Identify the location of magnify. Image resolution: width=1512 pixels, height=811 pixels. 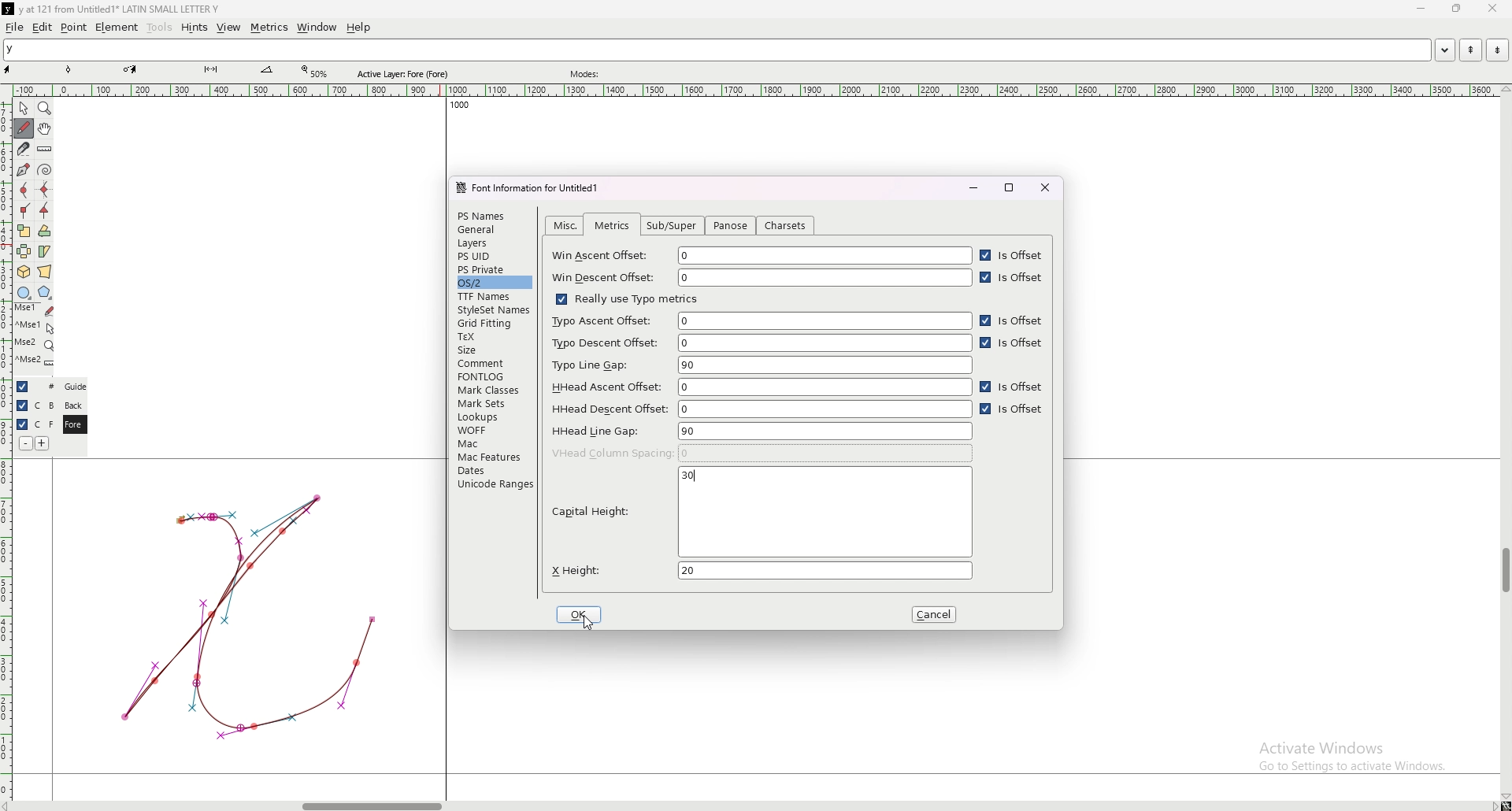
(45, 108).